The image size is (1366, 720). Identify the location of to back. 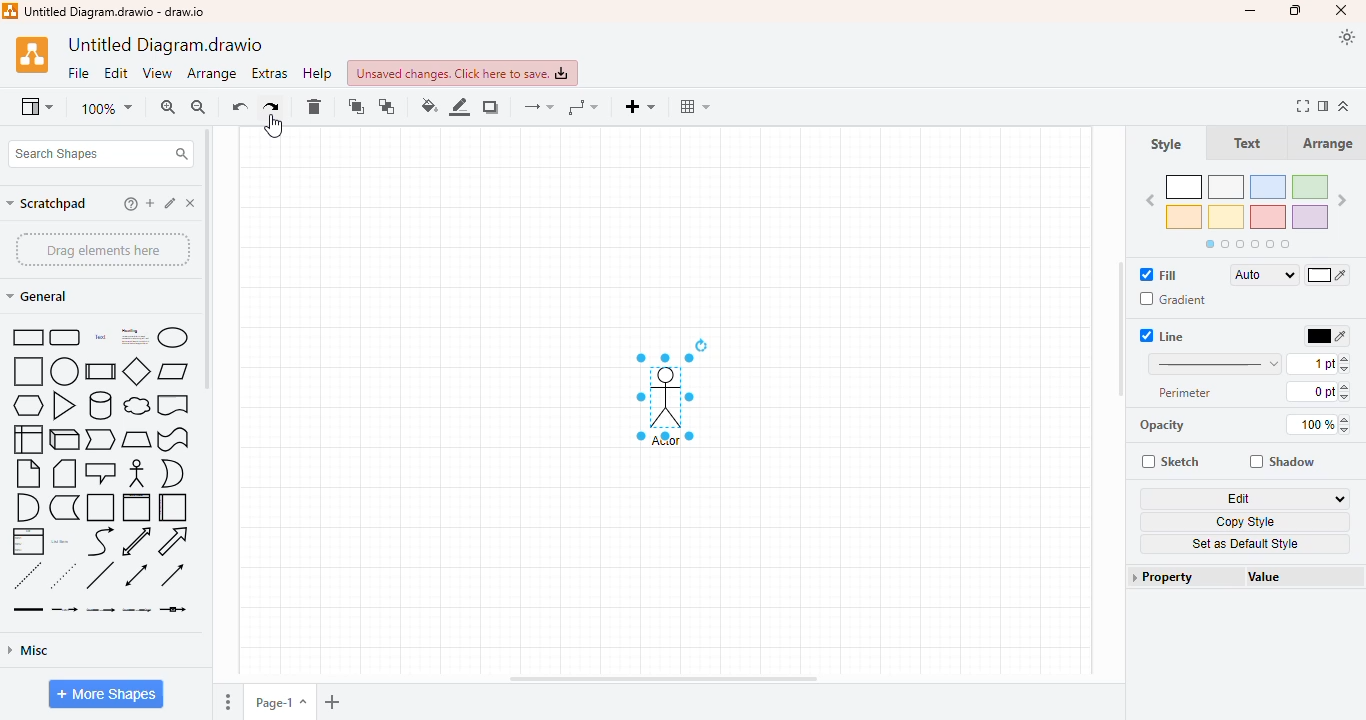
(388, 107).